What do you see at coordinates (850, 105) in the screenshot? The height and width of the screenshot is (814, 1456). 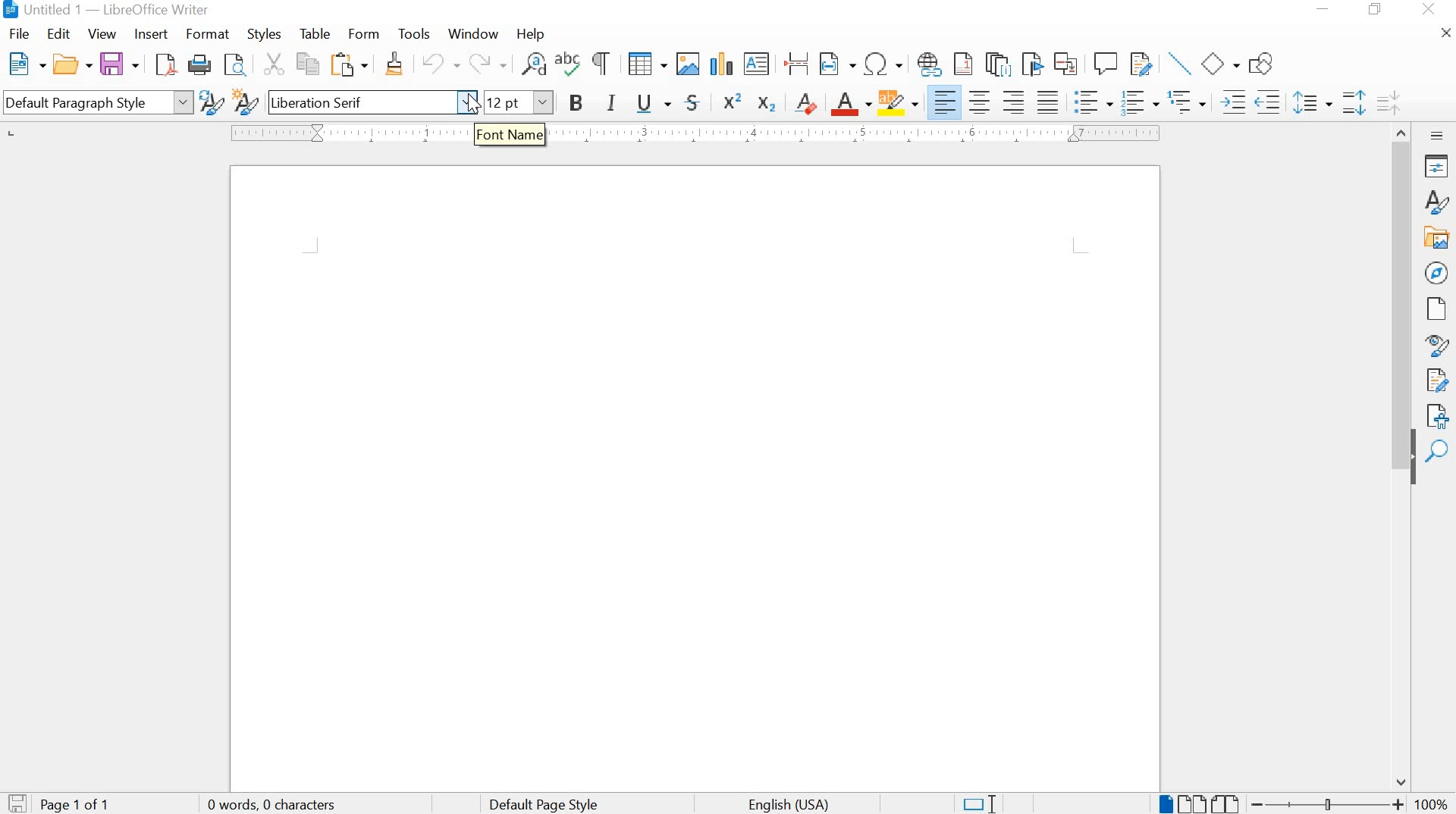 I see `FONT COLOR` at bounding box center [850, 105].